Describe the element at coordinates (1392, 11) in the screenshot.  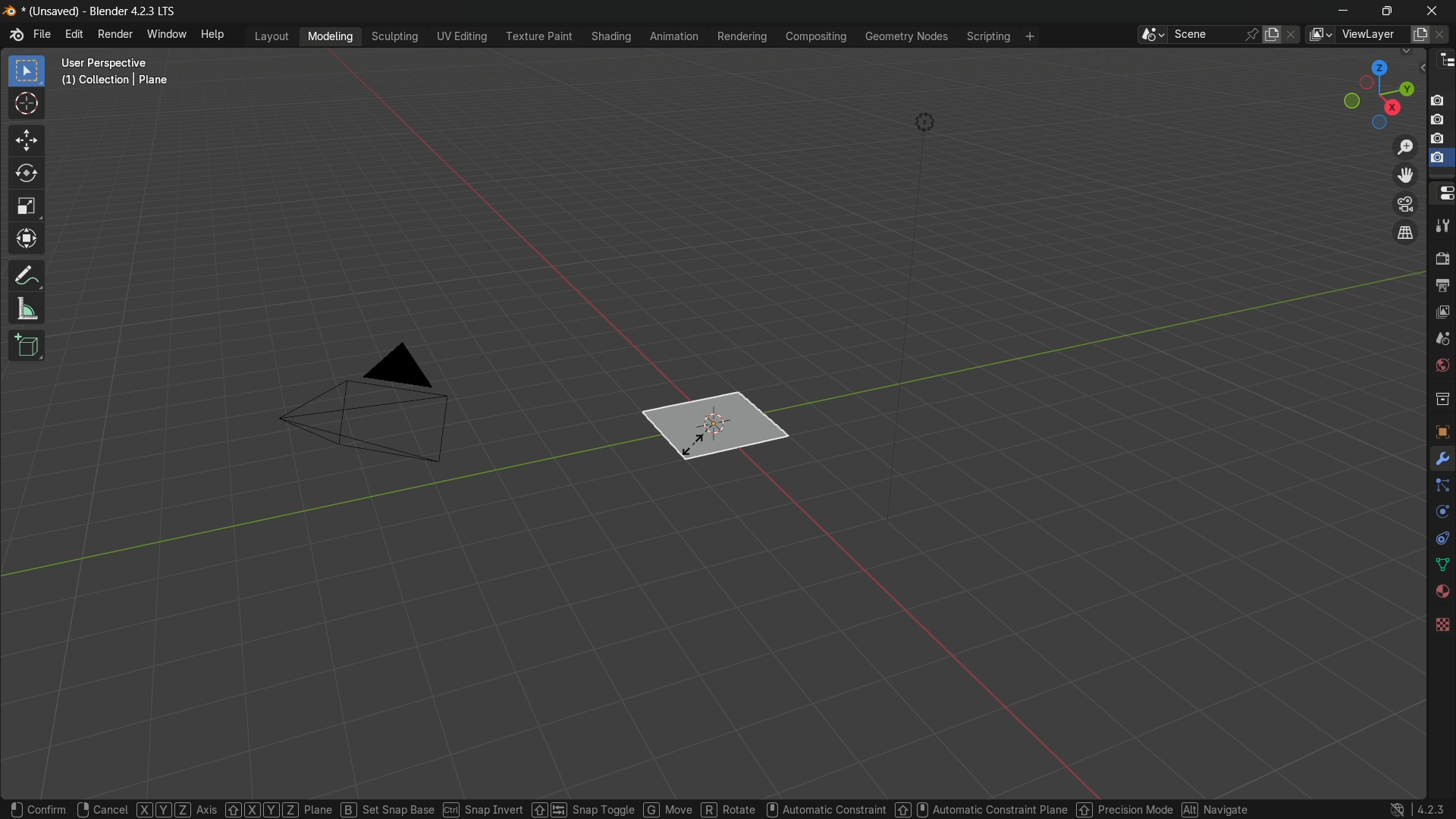
I see `maximize or restore` at that location.